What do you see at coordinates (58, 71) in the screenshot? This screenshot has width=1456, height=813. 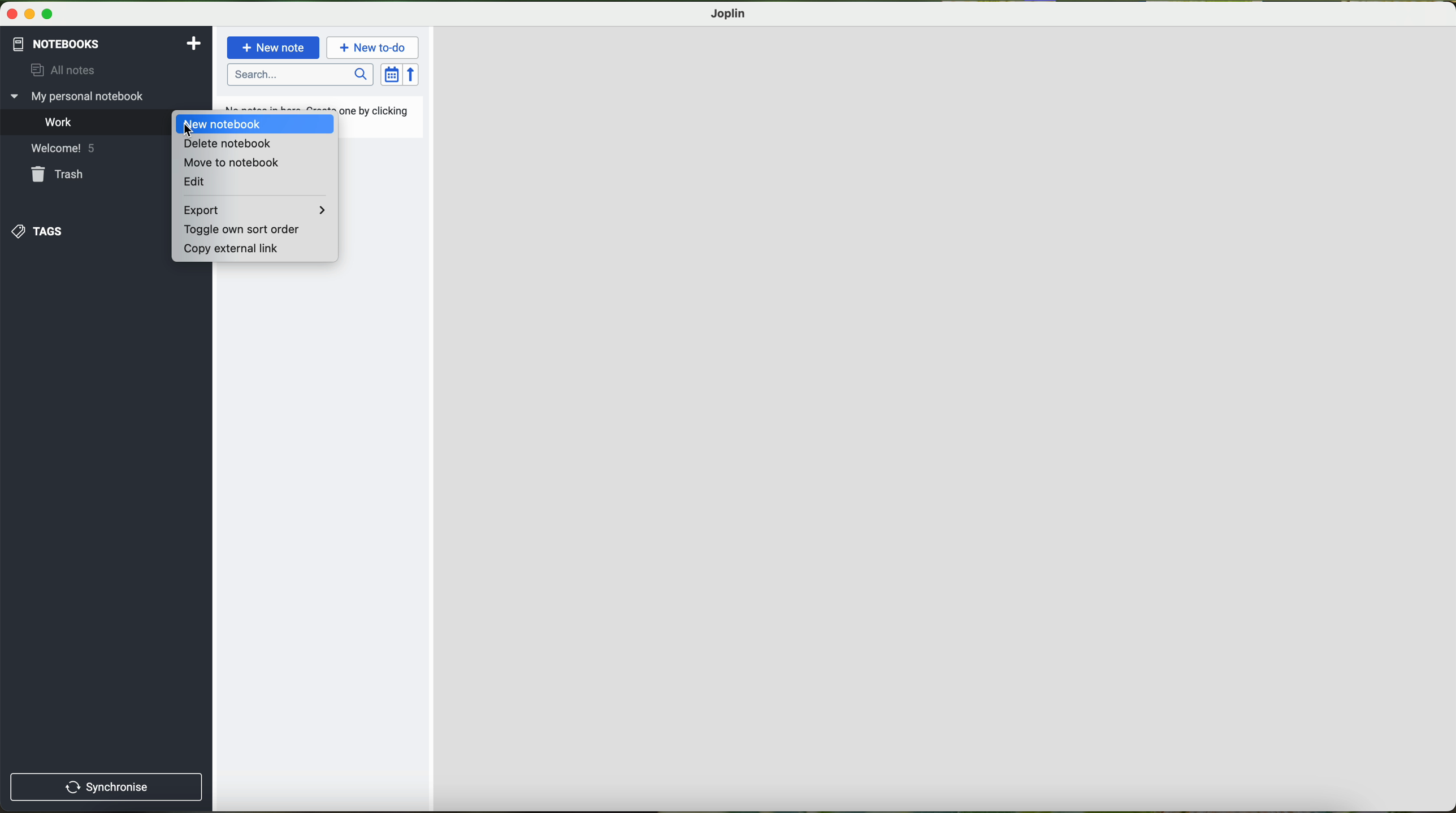 I see `all notes` at bounding box center [58, 71].